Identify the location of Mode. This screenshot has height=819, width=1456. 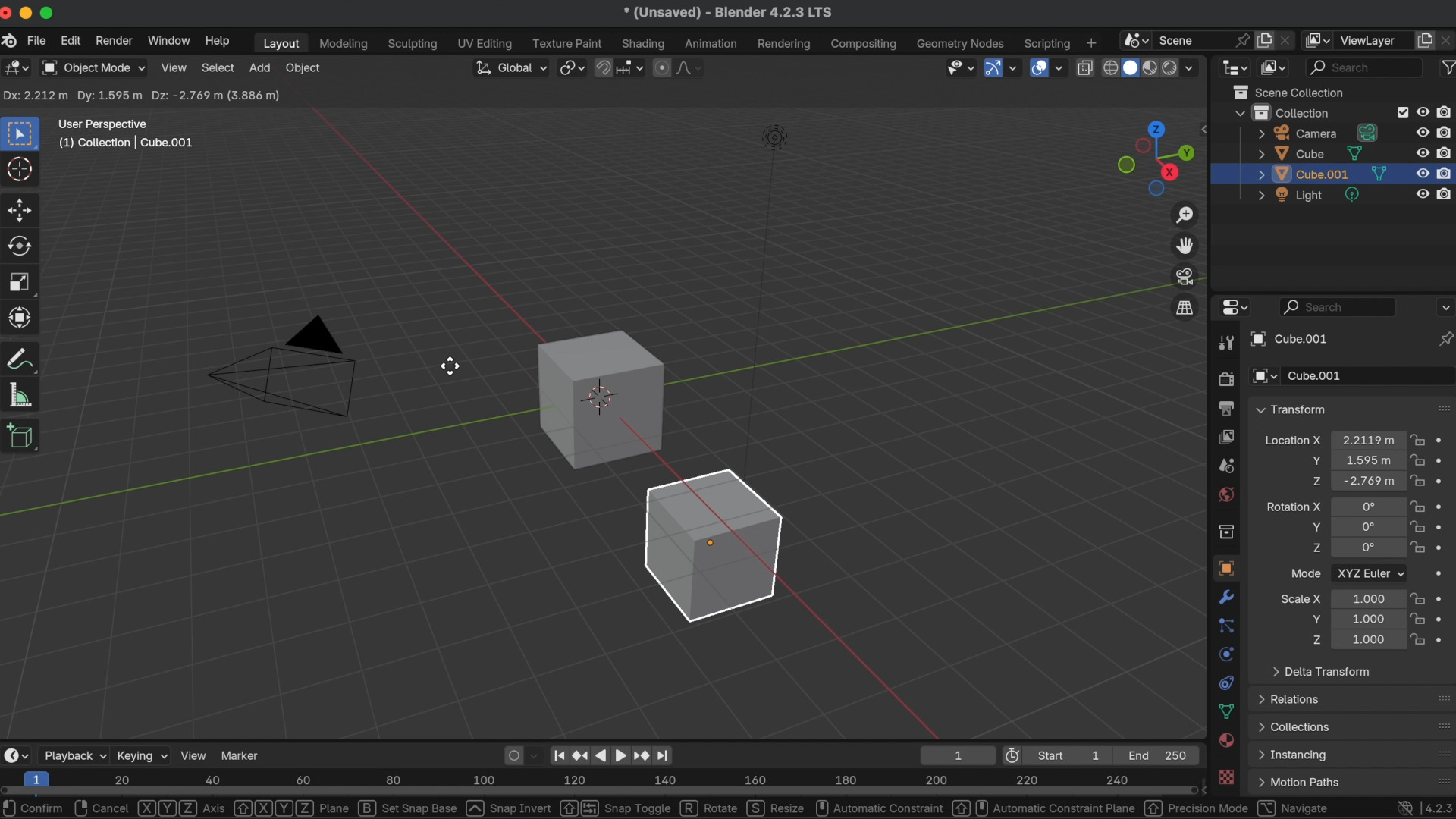
(1306, 573).